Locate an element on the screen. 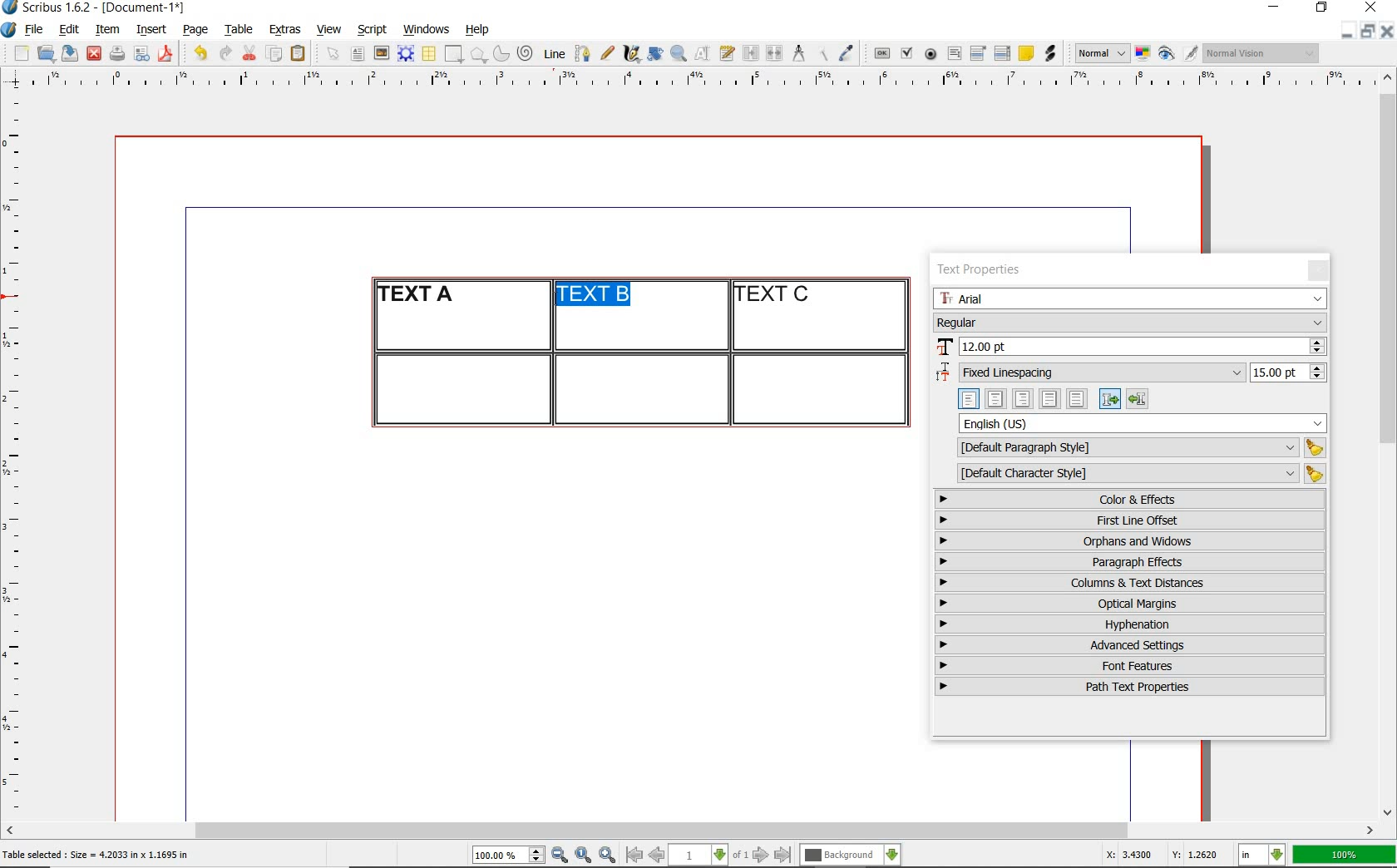  Bezier curve is located at coordinates (581, 53).